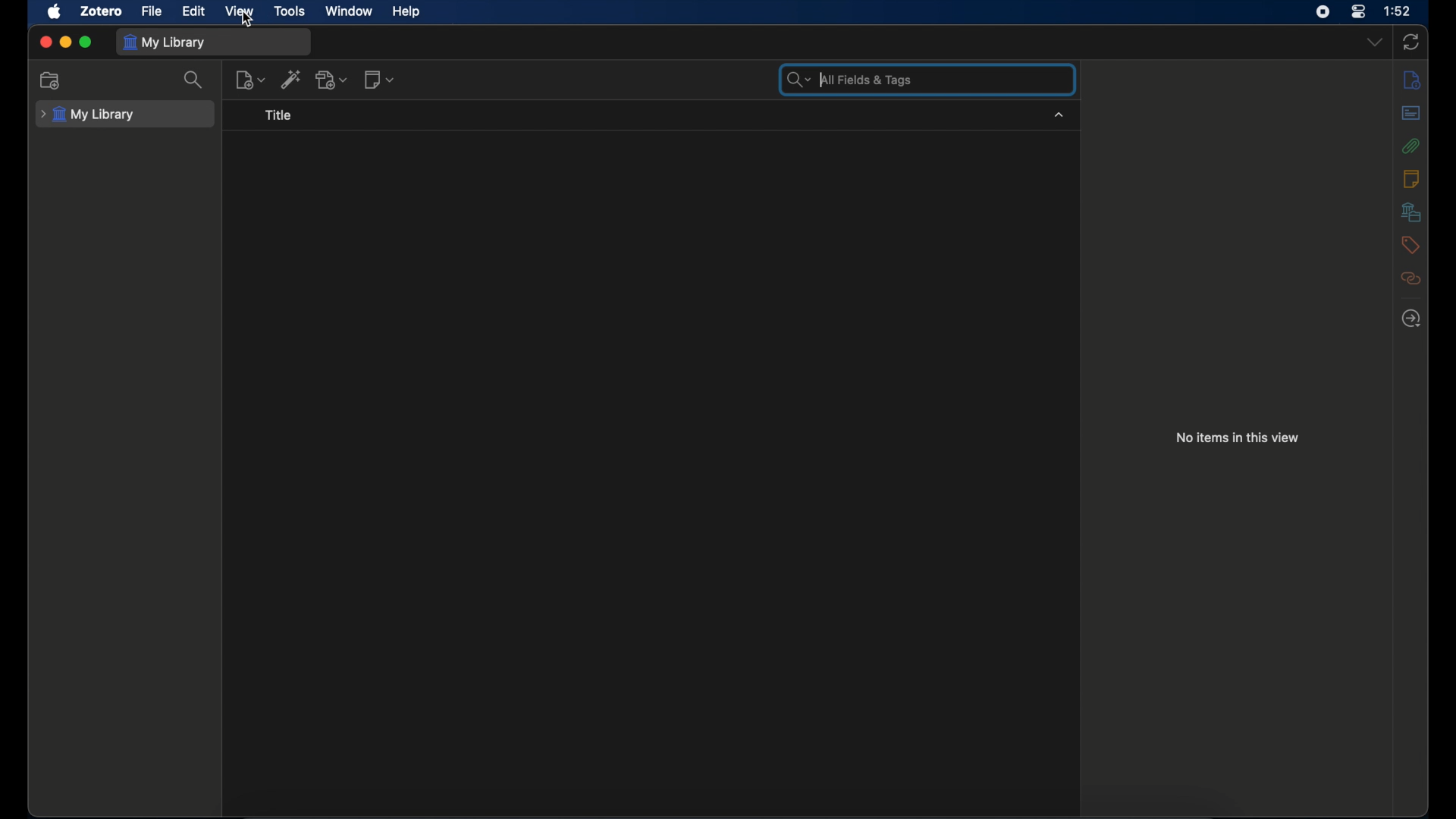  Describe the element at coordinates (103, 12) in the screenshot. I see `zotero` at that location.